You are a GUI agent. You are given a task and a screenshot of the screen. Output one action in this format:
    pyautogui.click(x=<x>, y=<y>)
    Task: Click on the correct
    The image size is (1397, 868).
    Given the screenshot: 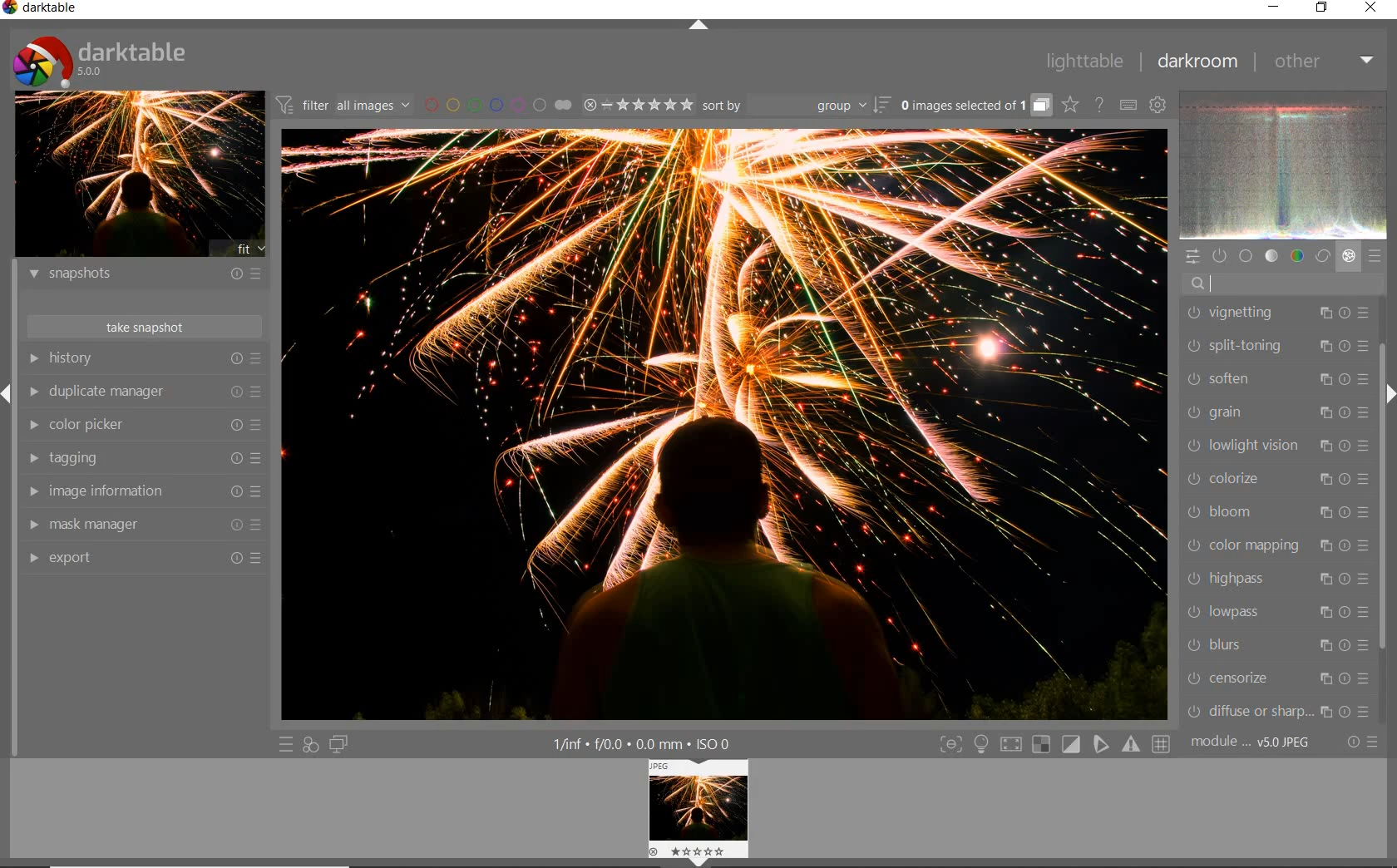 What is the action you would take?
    pyautogui.click(x=1323, y=257)
    